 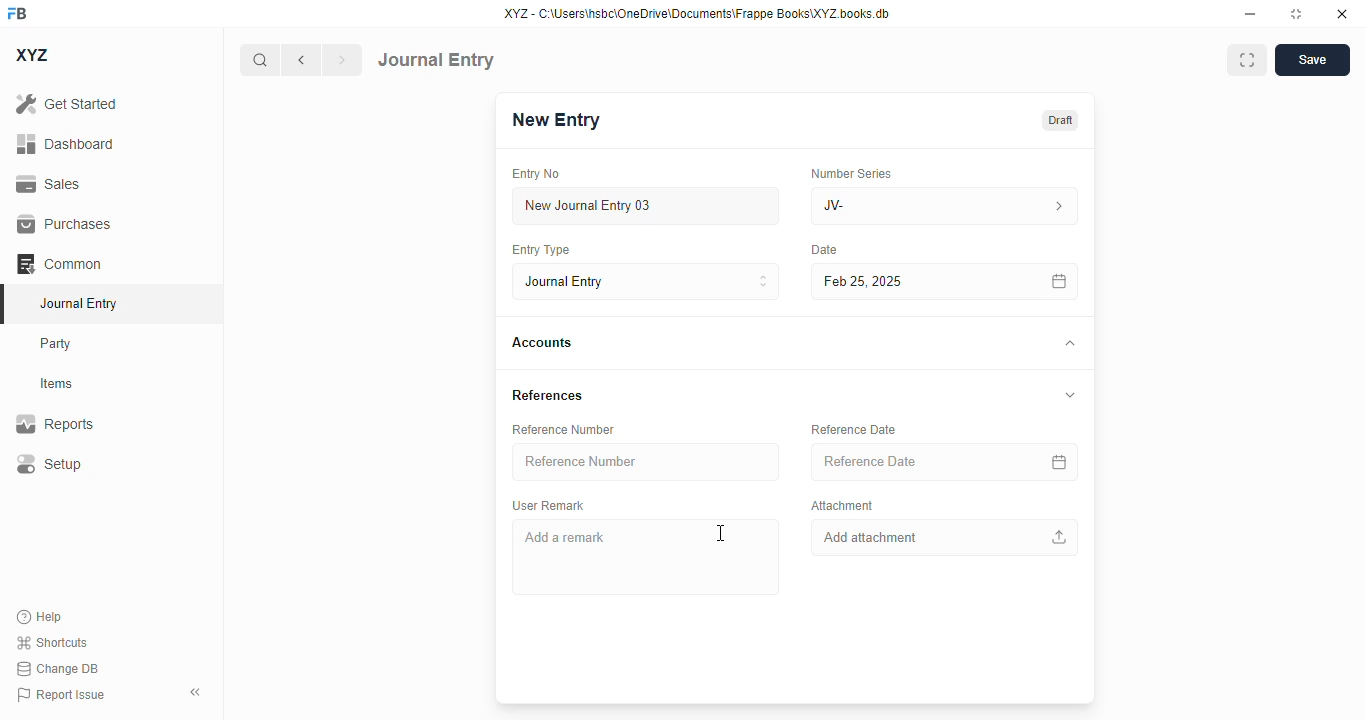 What do you see at coordinates (536, 174) in the screenshot?
I see `entry no` at bounding box center [536, 174].